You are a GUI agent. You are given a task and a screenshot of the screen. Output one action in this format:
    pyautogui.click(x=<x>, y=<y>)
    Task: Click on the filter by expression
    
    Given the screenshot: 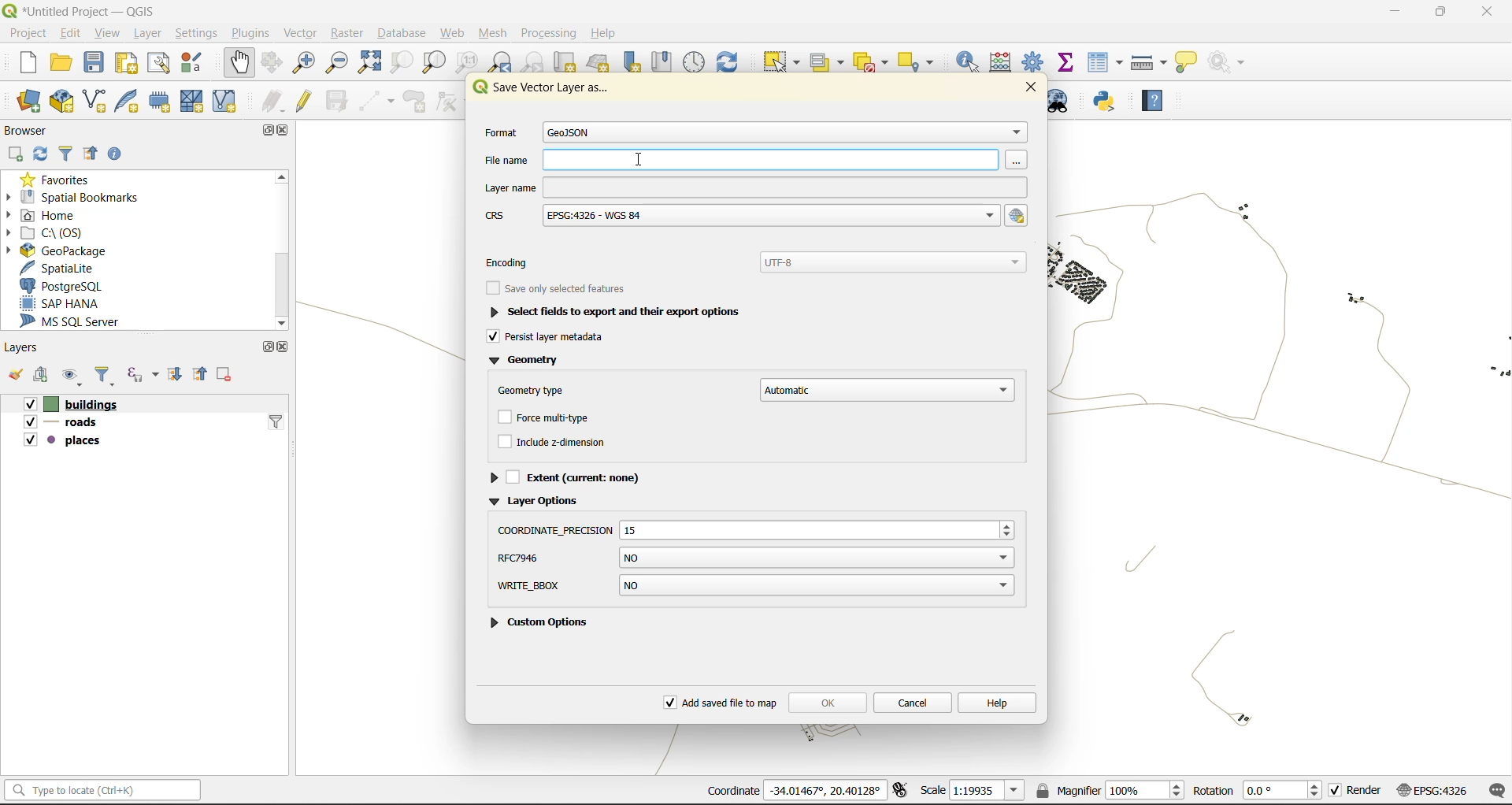 What is the action you would take?
    pyautogui.click(x=143, y=376)
    